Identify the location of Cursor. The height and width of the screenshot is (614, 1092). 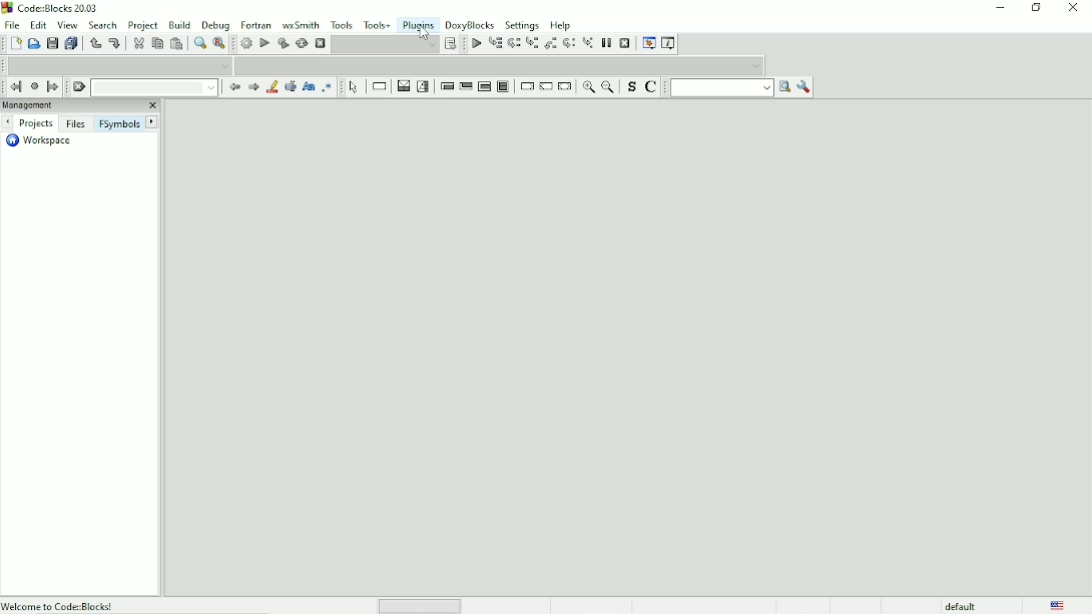
(427, 32).